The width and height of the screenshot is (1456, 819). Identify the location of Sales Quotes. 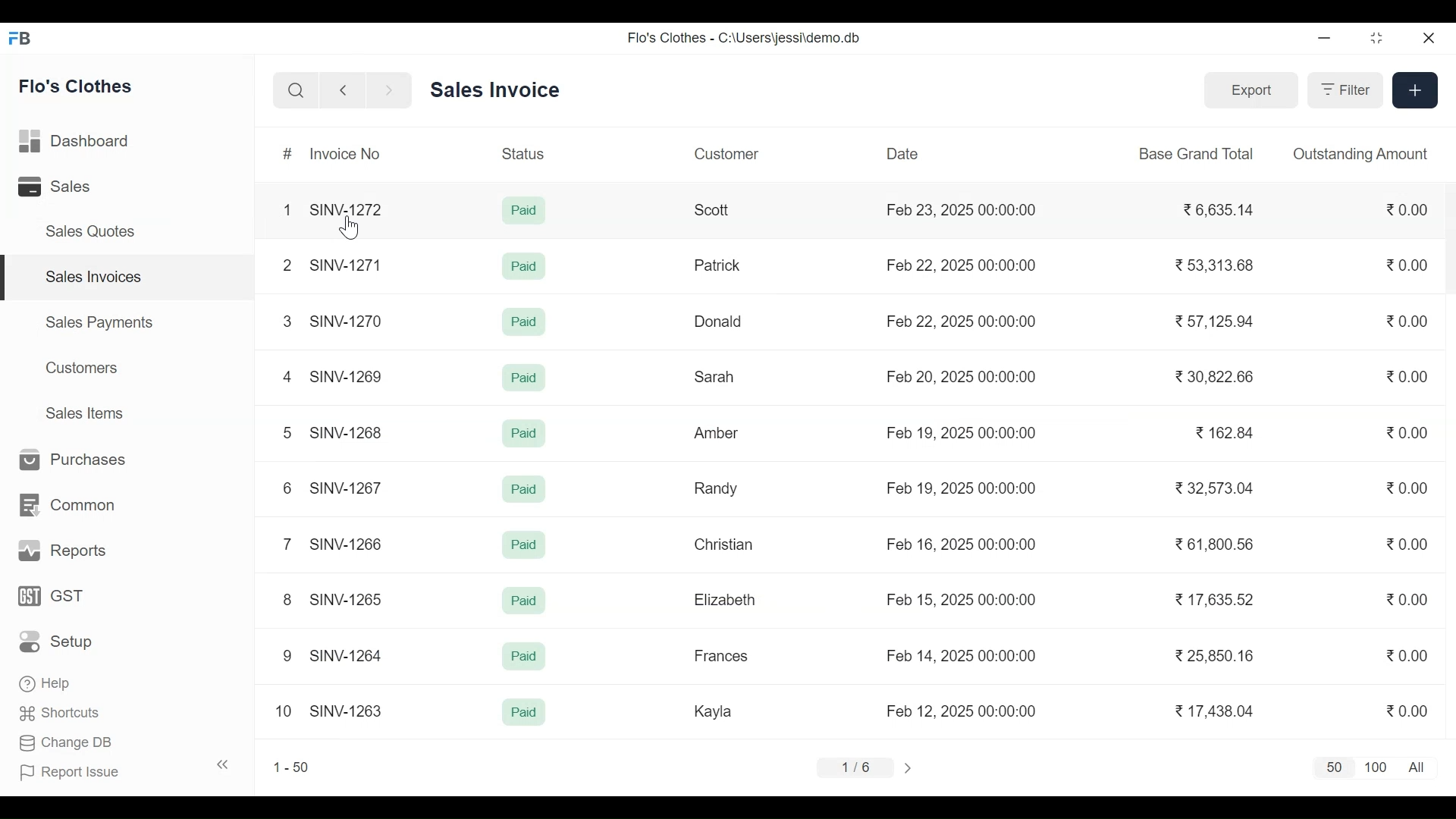
(96, 231).